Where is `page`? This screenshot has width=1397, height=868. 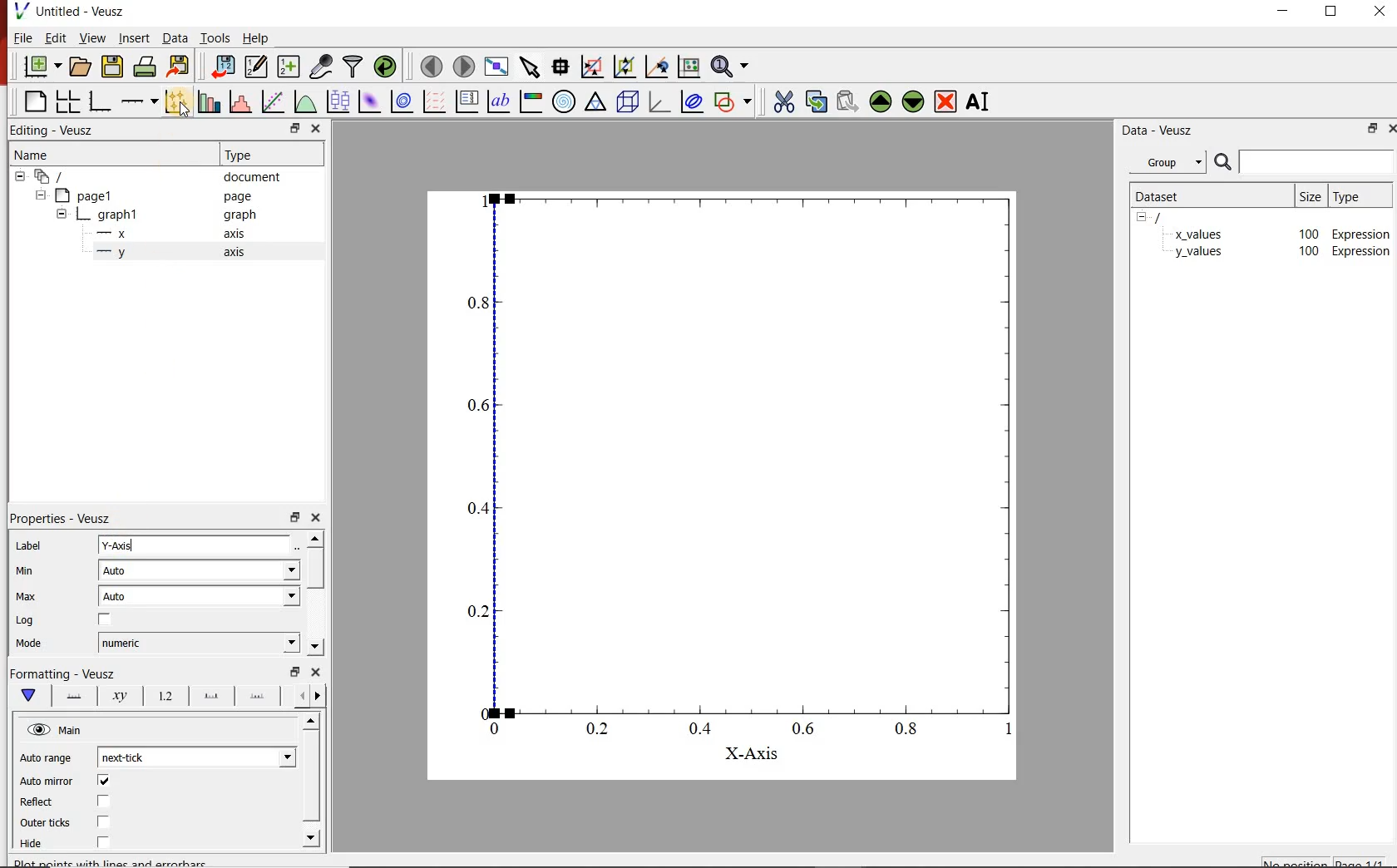 page is located at coordinates (236, 195).